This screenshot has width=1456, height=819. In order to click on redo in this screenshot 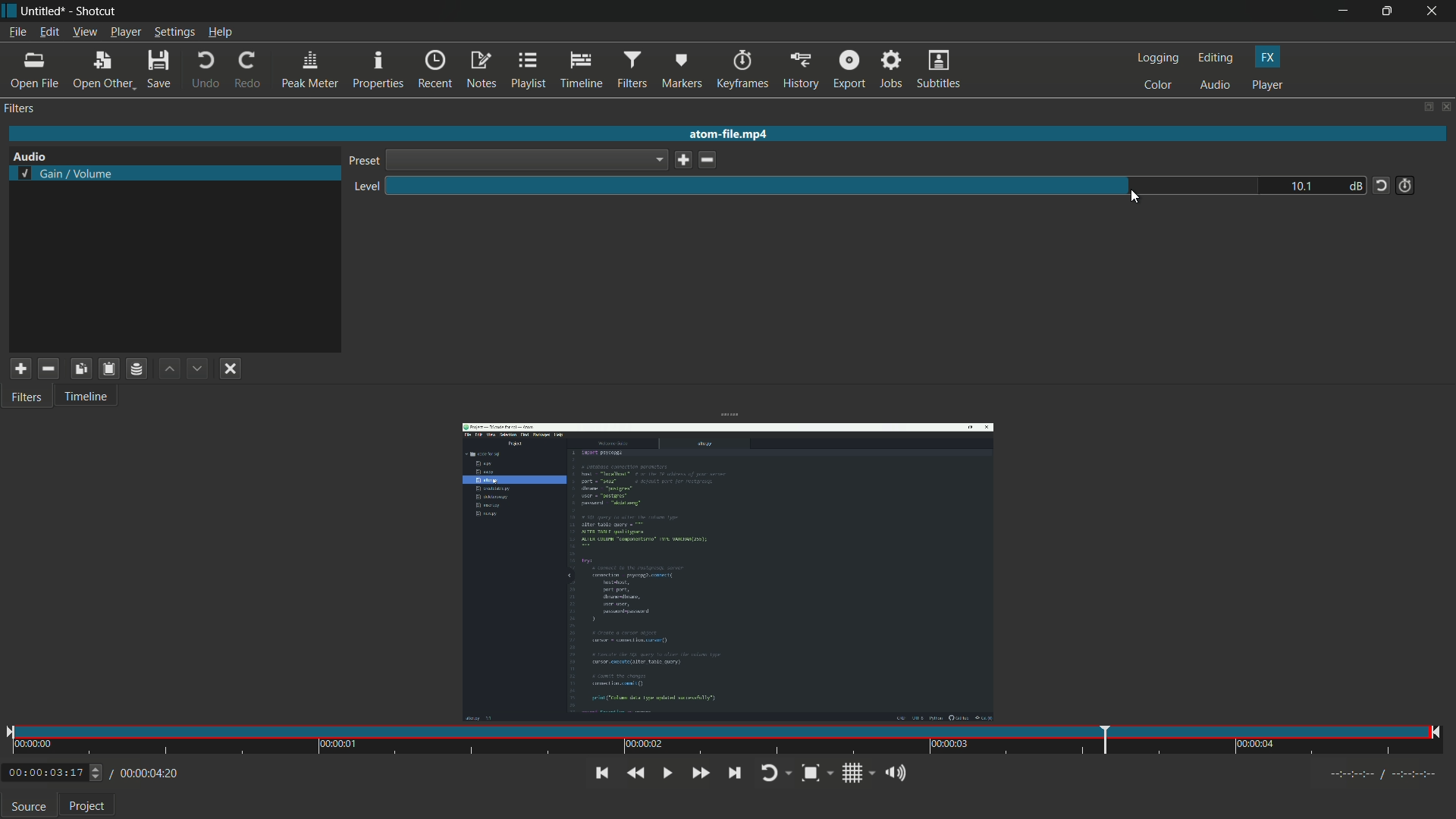, I will do `click(249, 71)`.